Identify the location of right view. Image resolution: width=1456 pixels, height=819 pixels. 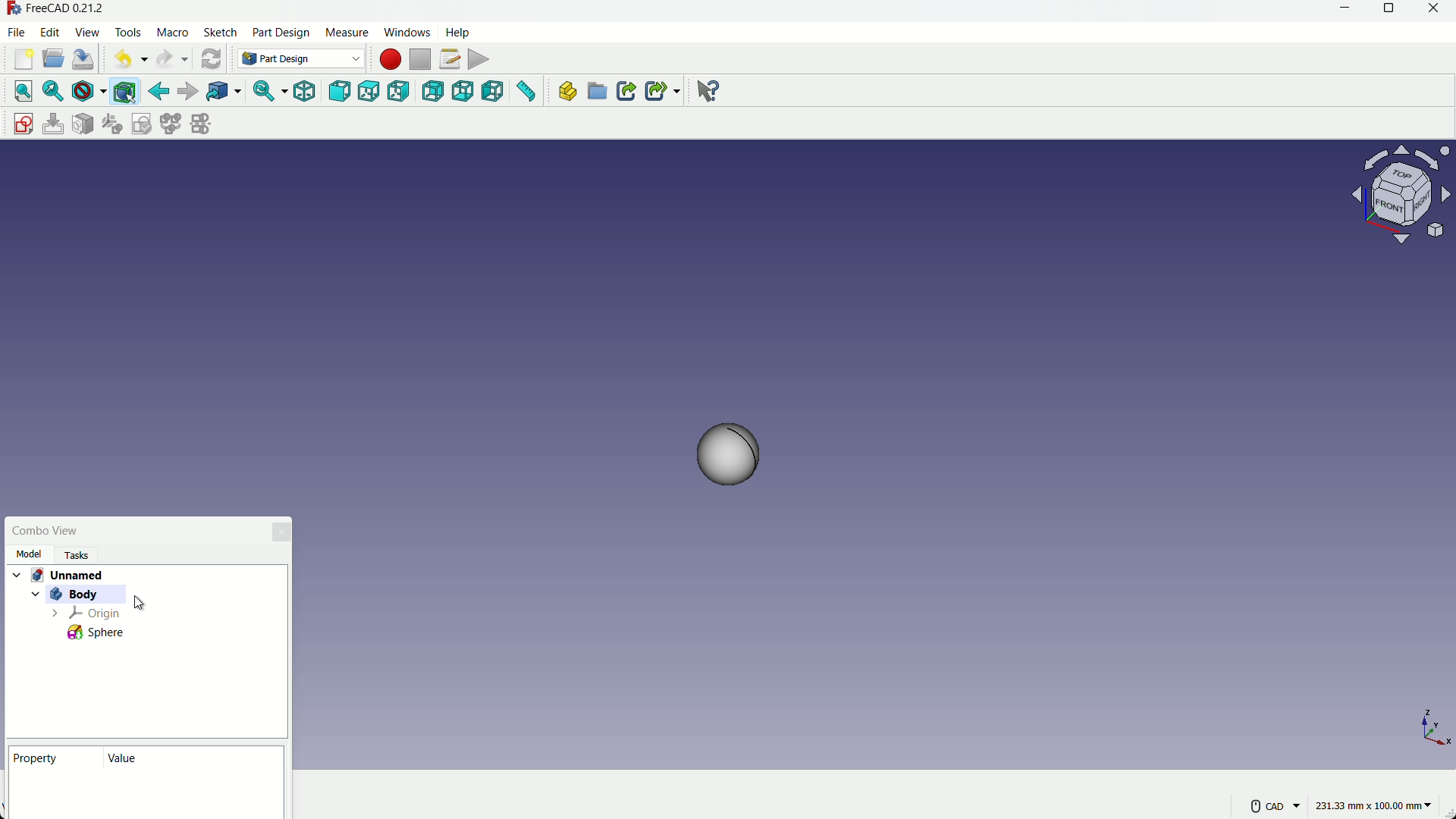
(400, 91).